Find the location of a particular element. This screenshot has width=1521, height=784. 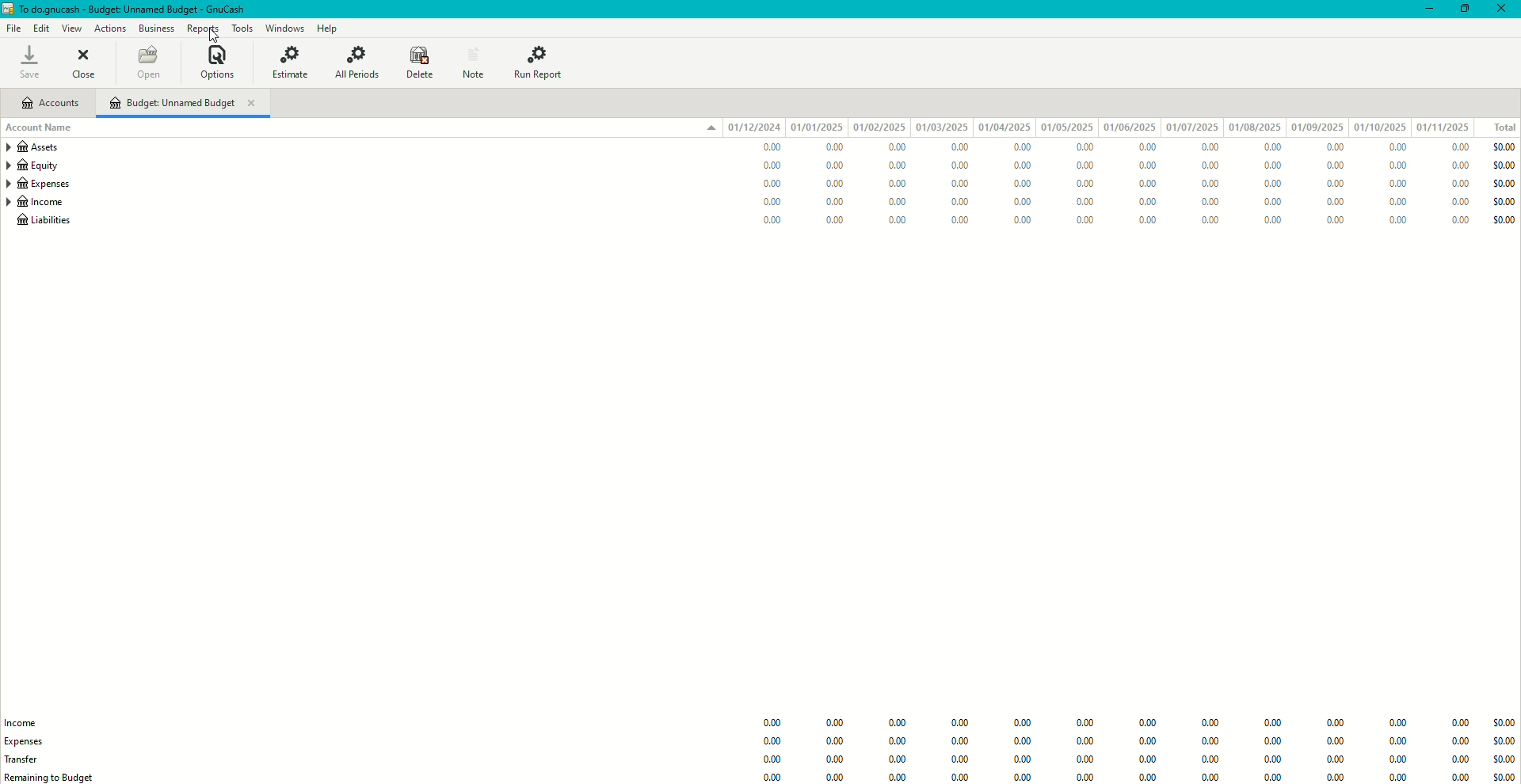

0.00 is located at coordinates (1210, 741).